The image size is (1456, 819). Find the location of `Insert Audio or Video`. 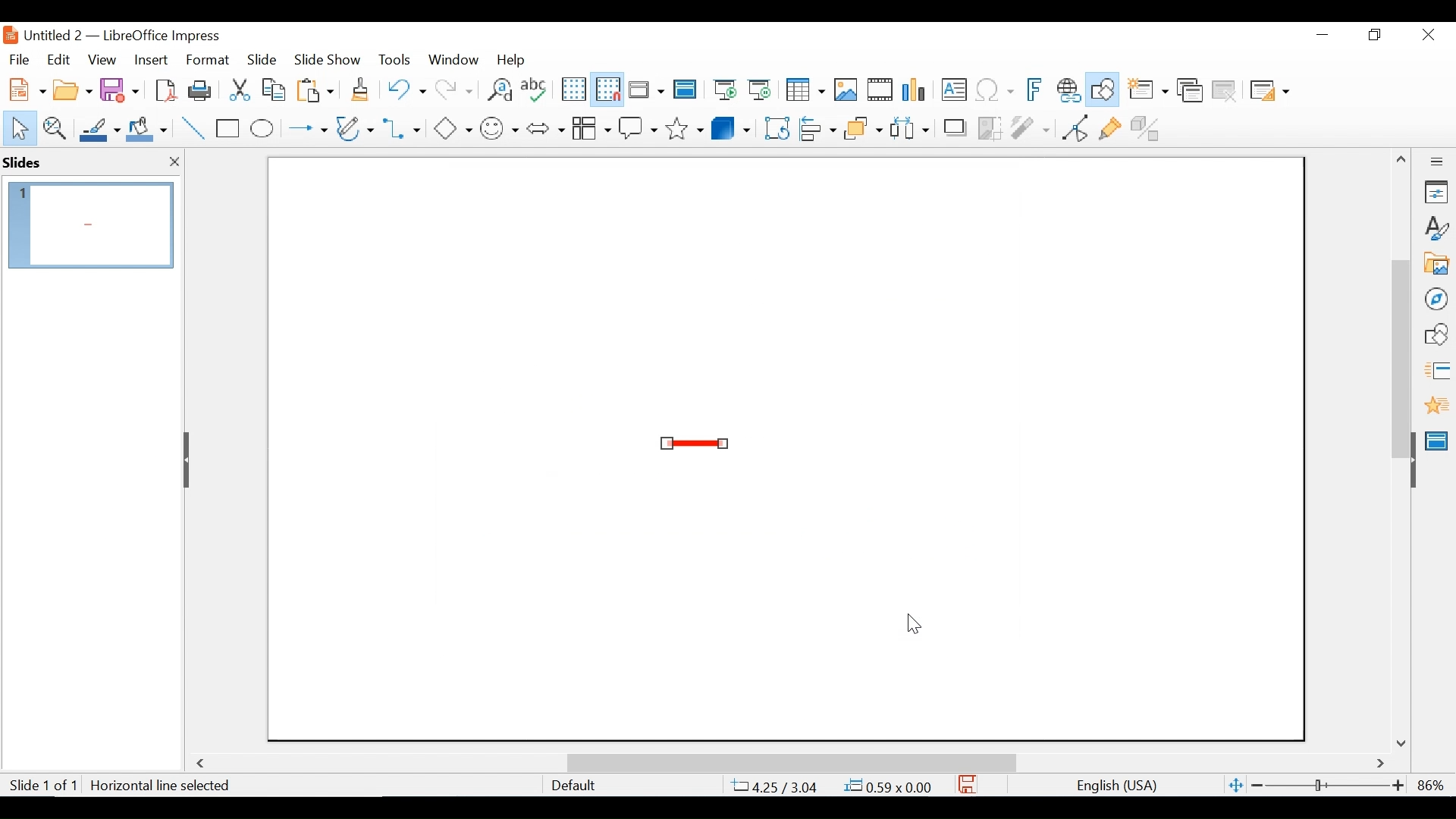

Insert Audio or Video is located at coordinates (880, 91).